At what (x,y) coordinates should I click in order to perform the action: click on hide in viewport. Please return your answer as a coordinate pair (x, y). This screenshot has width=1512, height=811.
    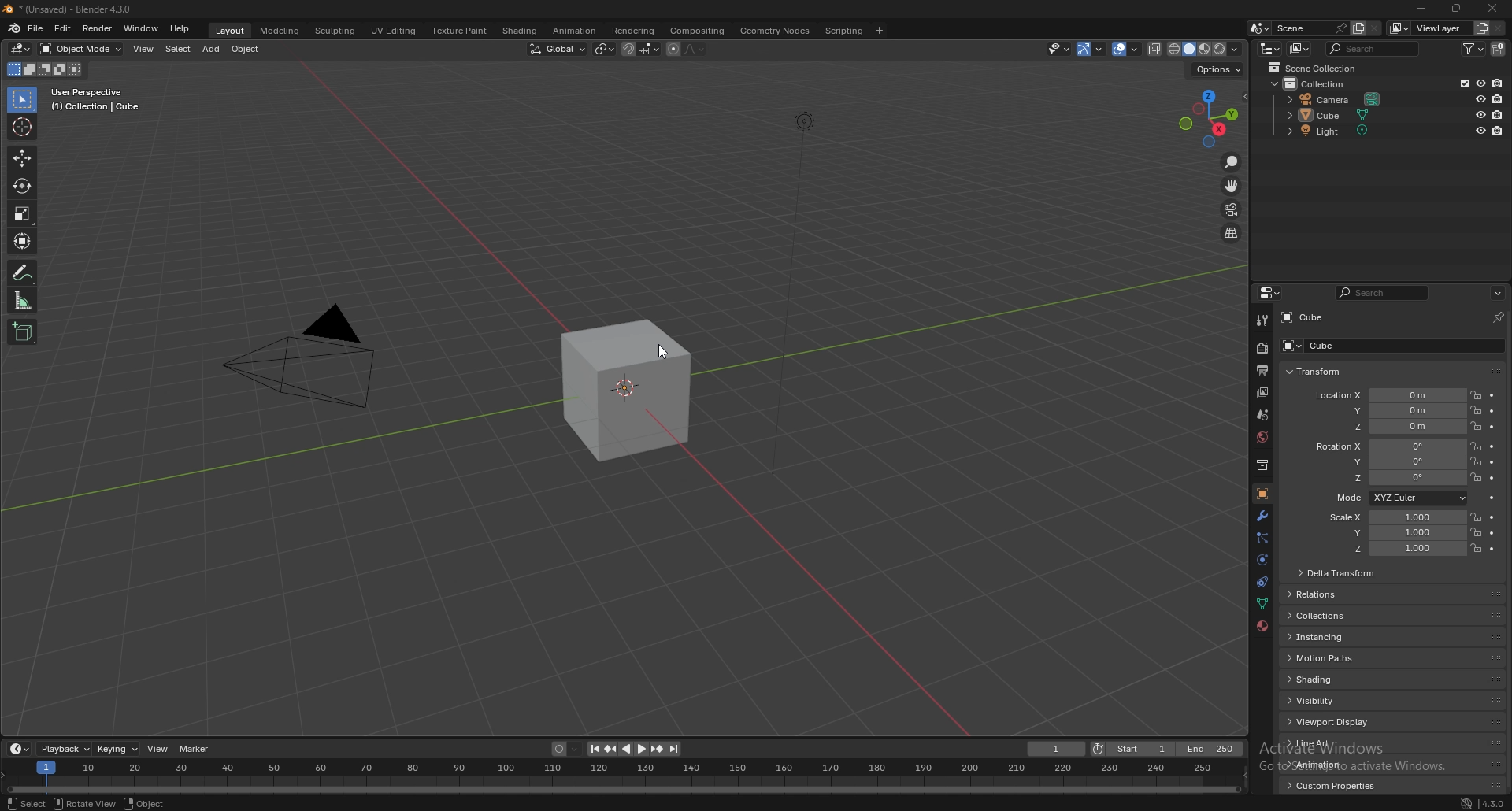
    Looking at the image, I should click on (1478, 98).